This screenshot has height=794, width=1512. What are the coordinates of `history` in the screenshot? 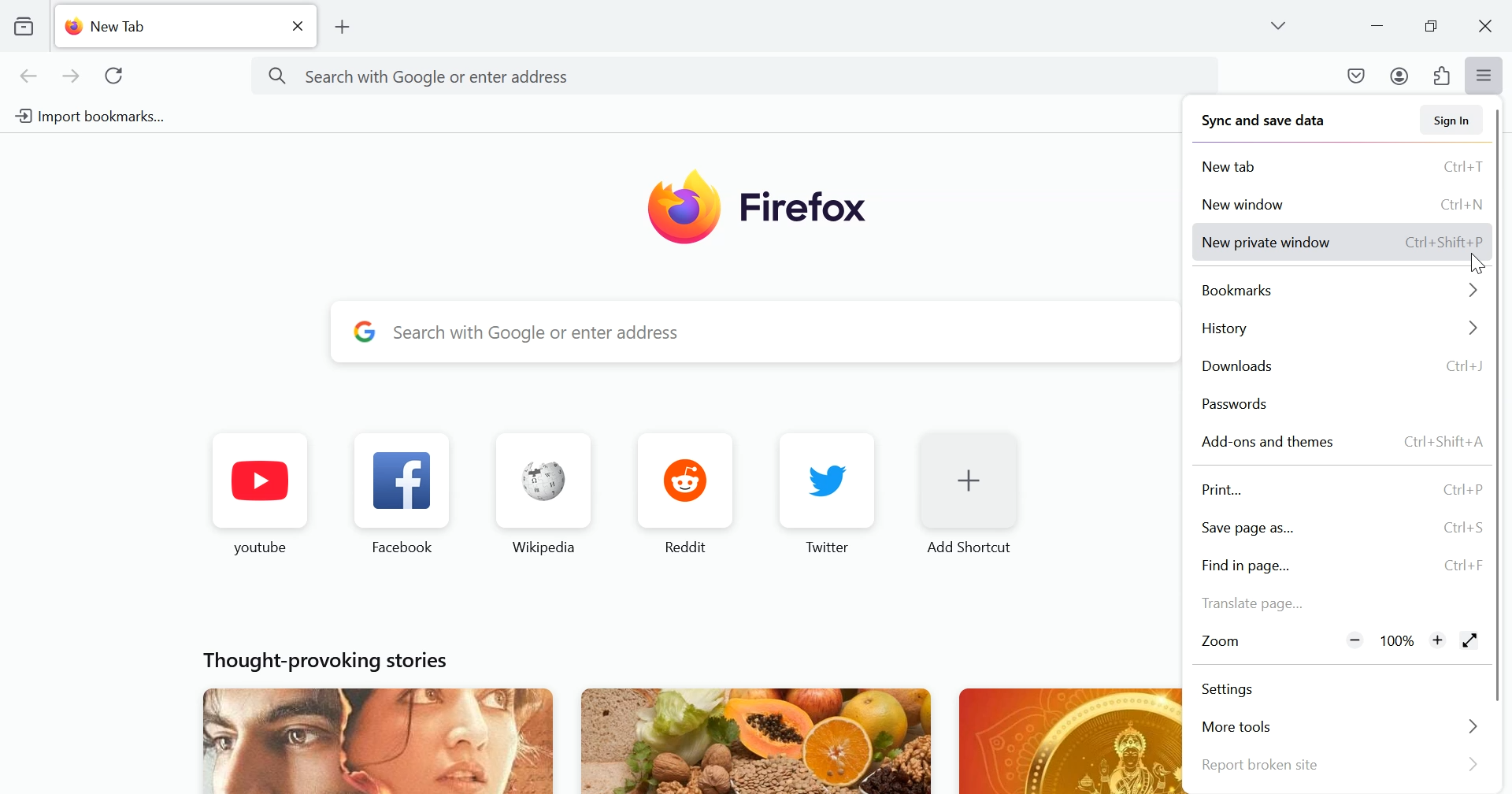 It's located at (1340, 331).